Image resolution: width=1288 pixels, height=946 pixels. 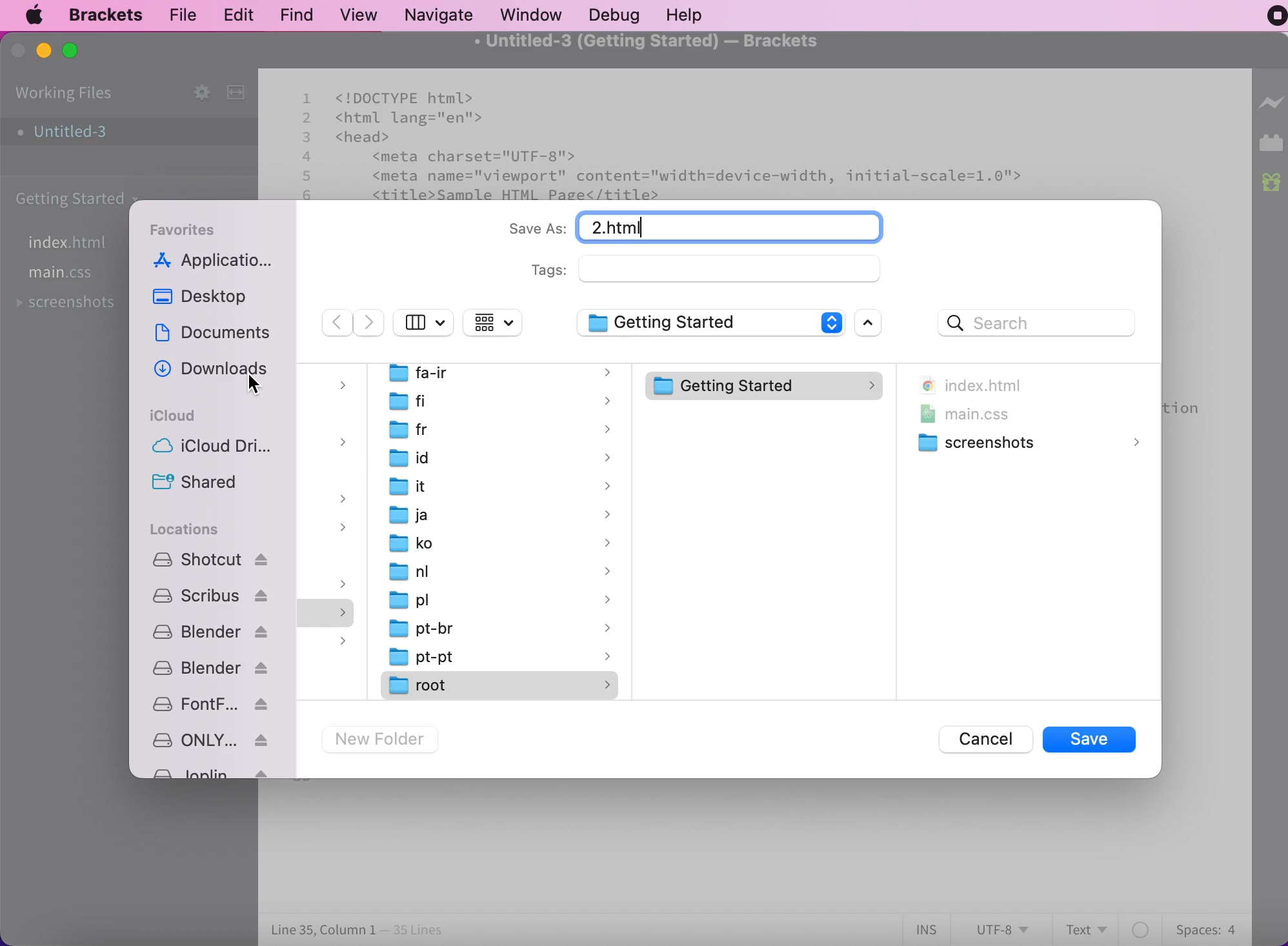 I want to click on untitled-3, so click(x=71, y=133).